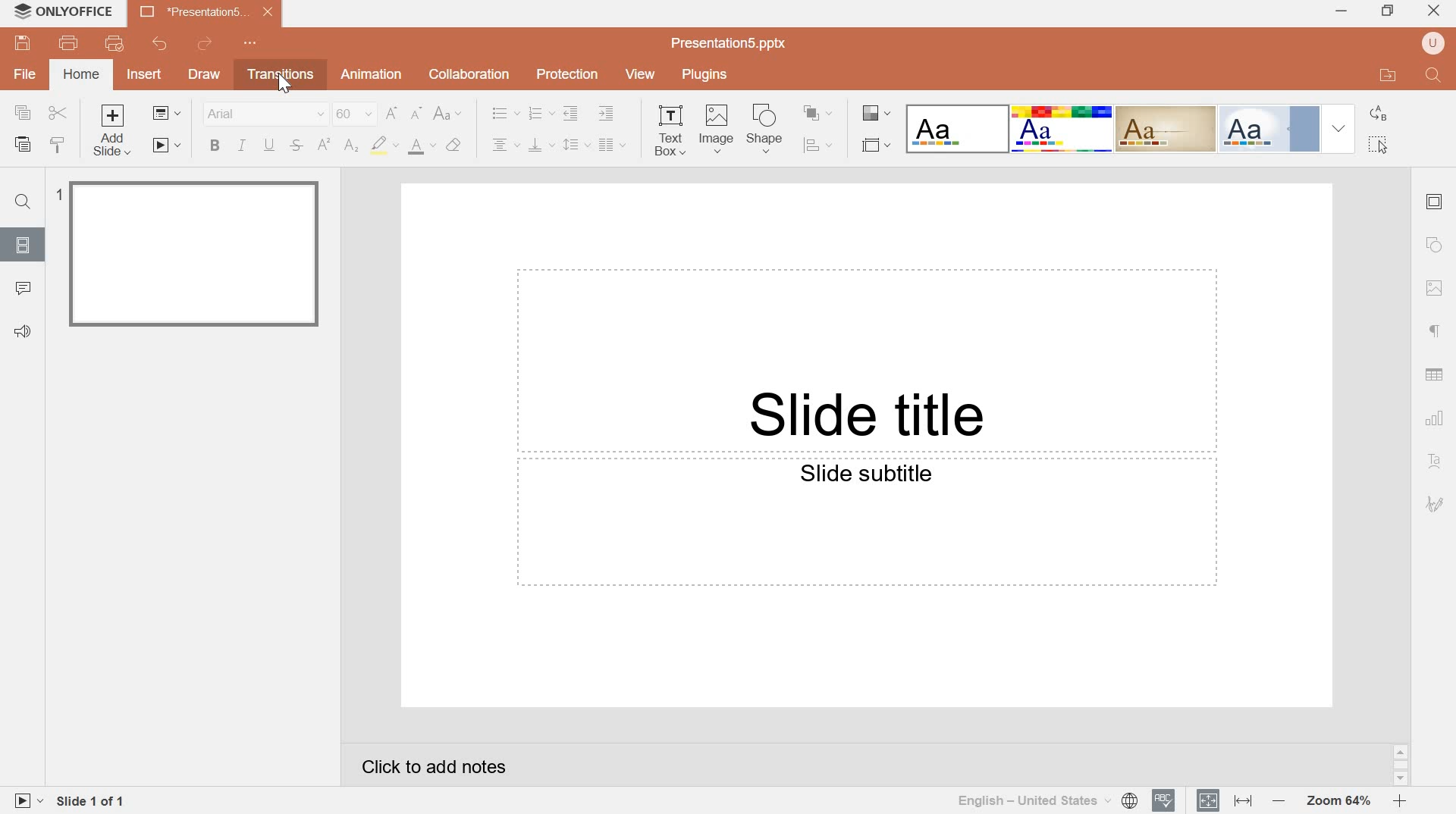  Describe the element at coordinates (1399, 800) in the screenshot. I see `zoom in` at that location.